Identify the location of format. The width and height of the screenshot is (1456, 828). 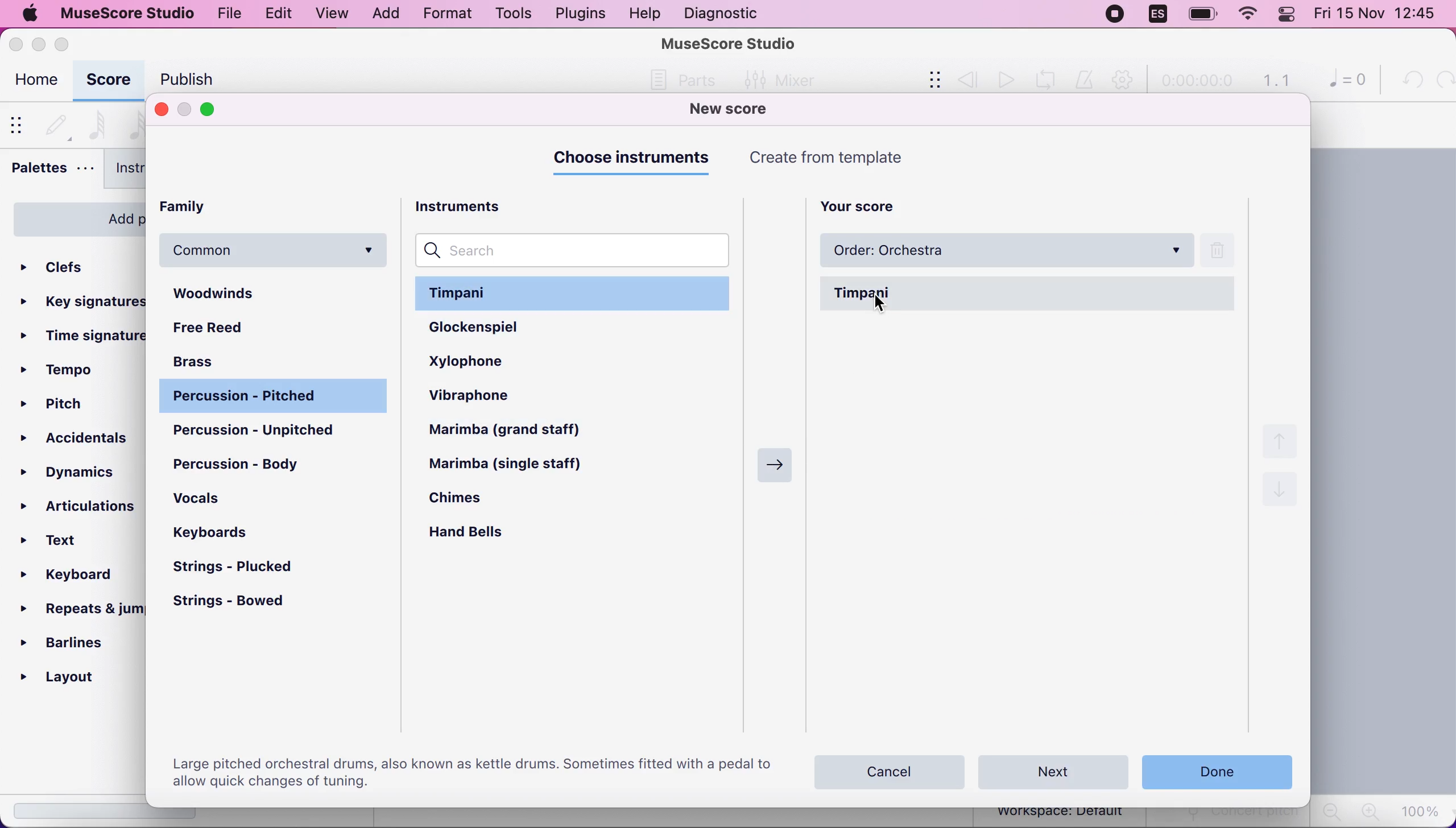
(443, 15).